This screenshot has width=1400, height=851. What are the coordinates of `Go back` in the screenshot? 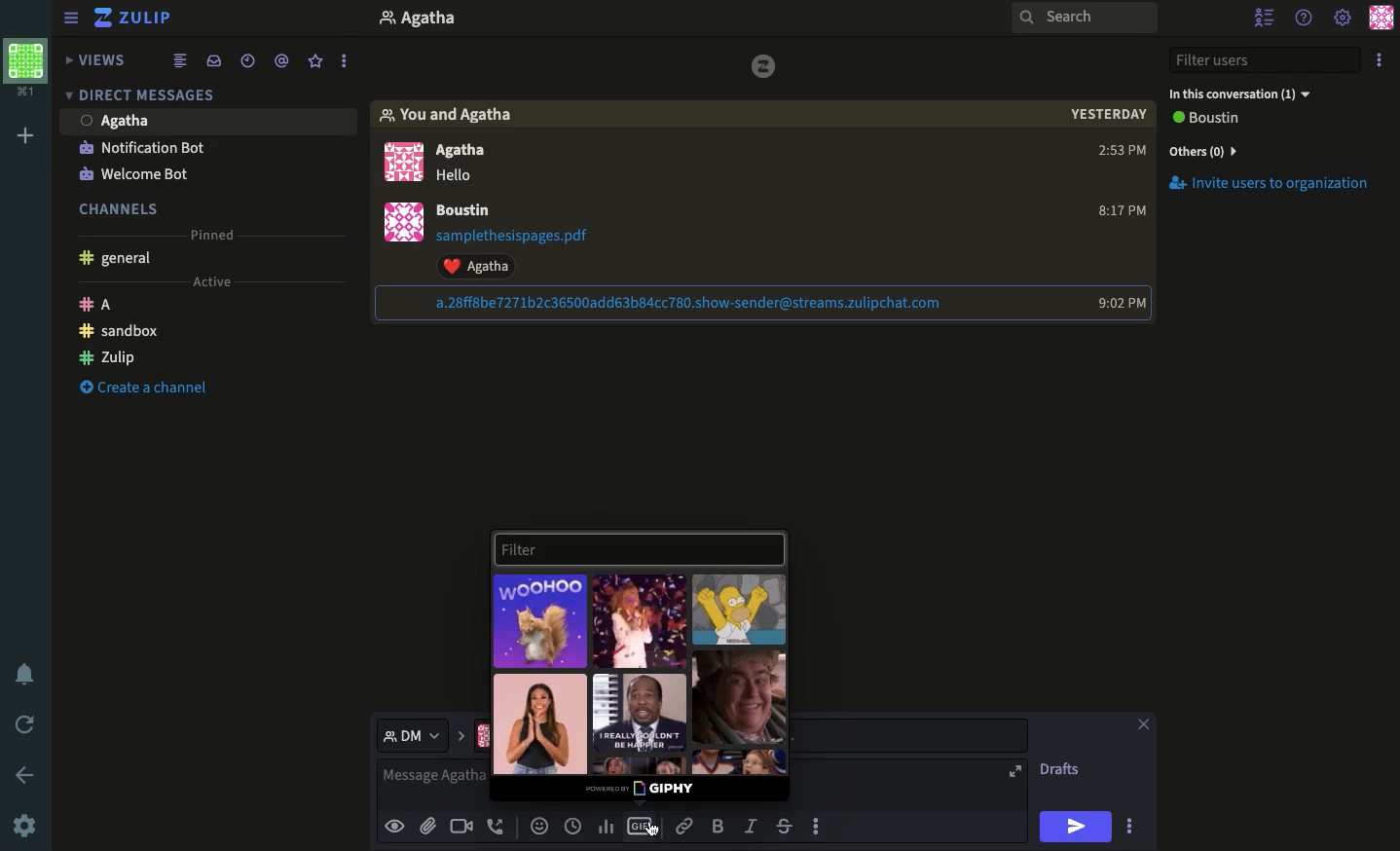 It's located at (26, 774).